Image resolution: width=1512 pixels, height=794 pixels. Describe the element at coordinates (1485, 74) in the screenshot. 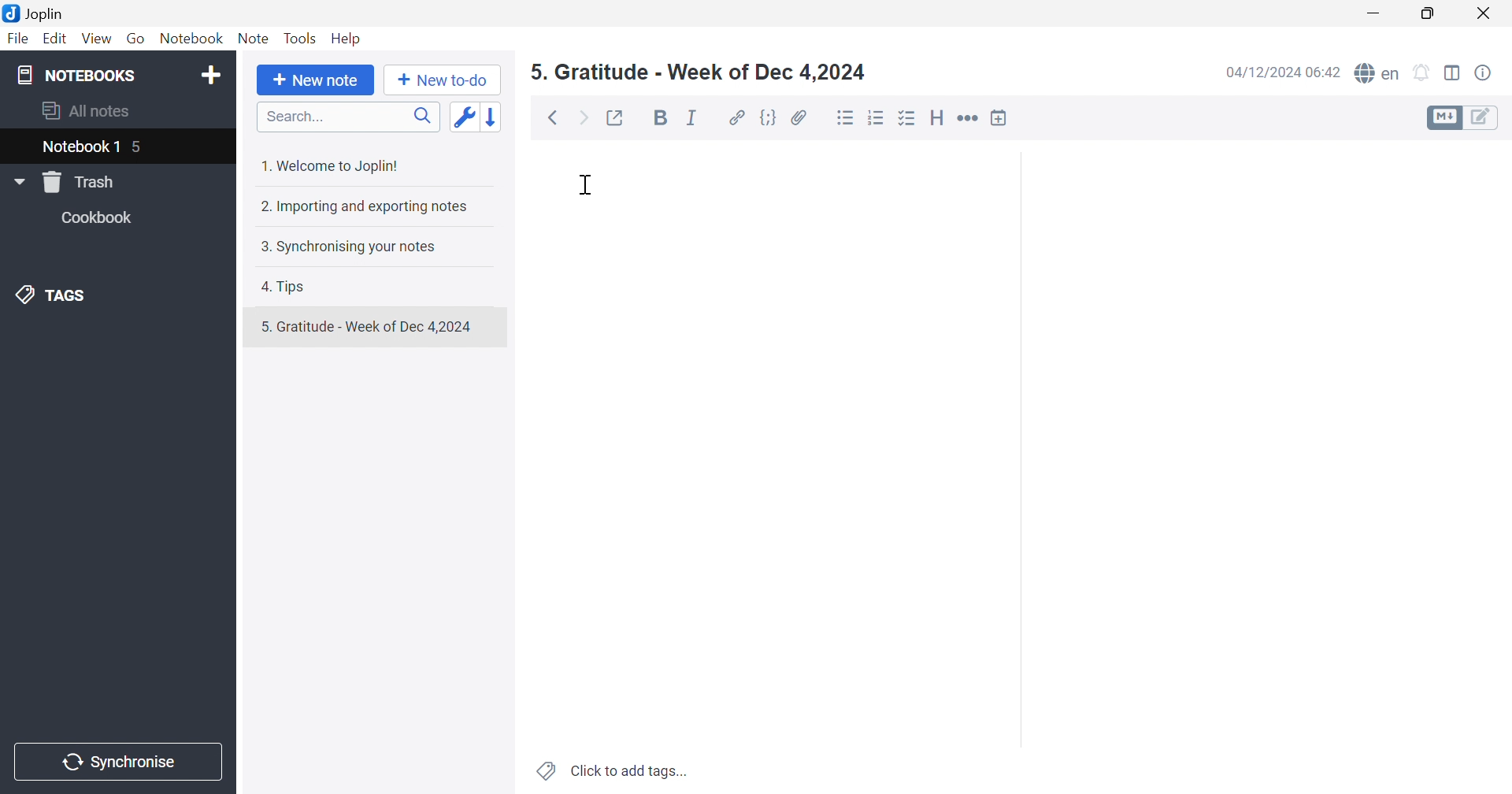

I see `Note properties` at that location.